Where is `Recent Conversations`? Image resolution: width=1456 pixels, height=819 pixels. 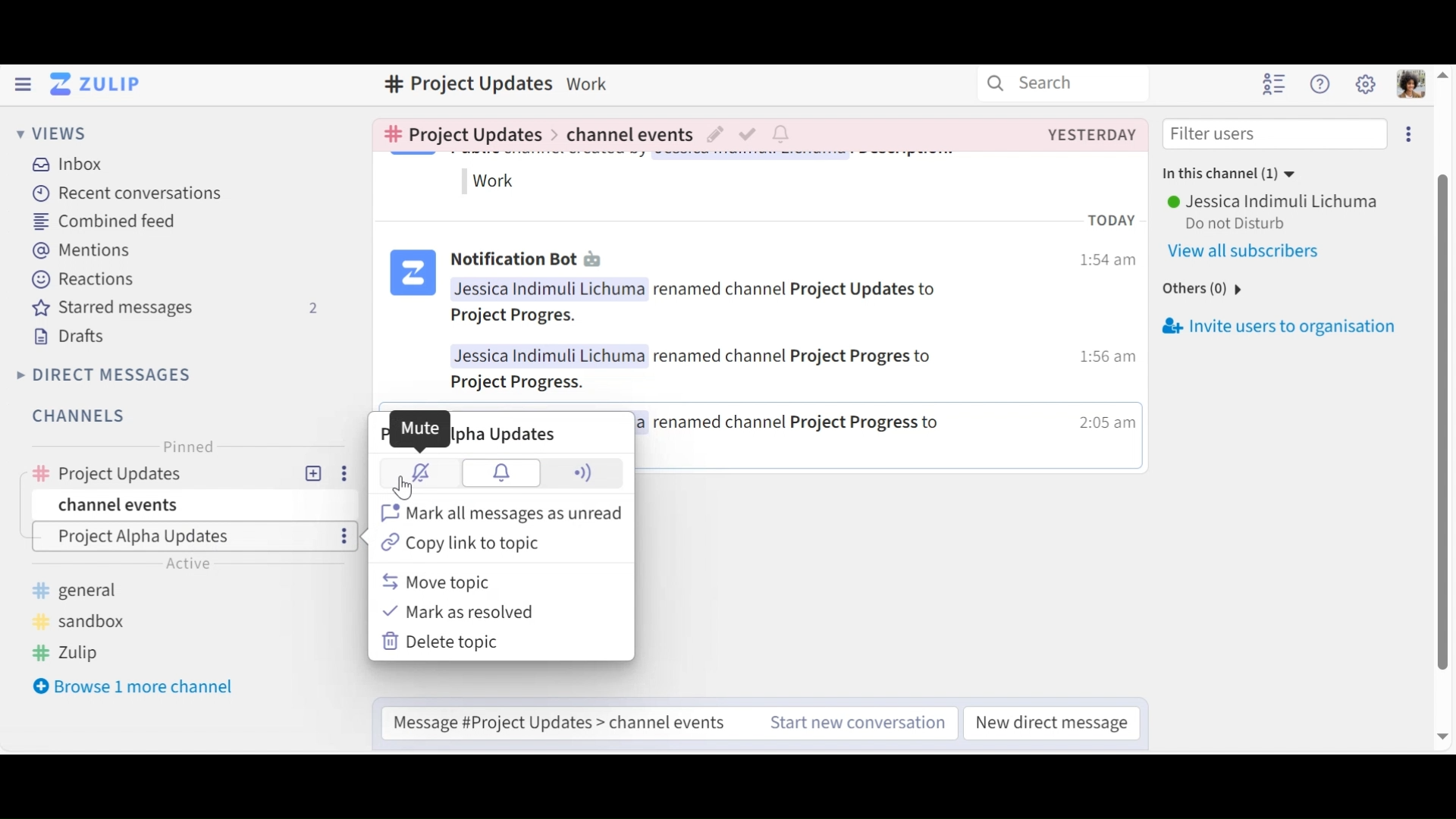 Recent Conversations is located at coordinates (122, 193).